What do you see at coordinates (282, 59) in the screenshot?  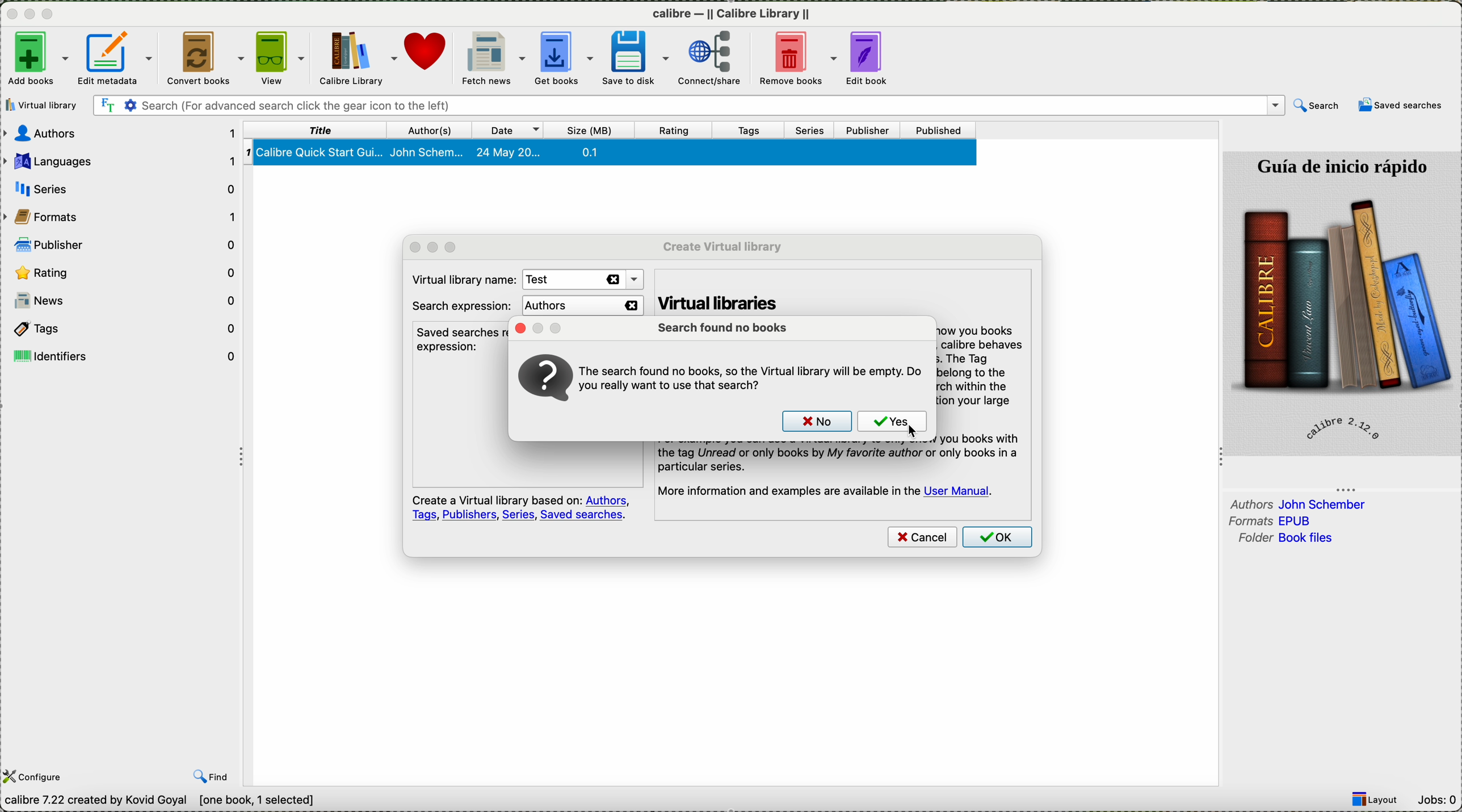 I see `view` at bounding box center [282, 59].